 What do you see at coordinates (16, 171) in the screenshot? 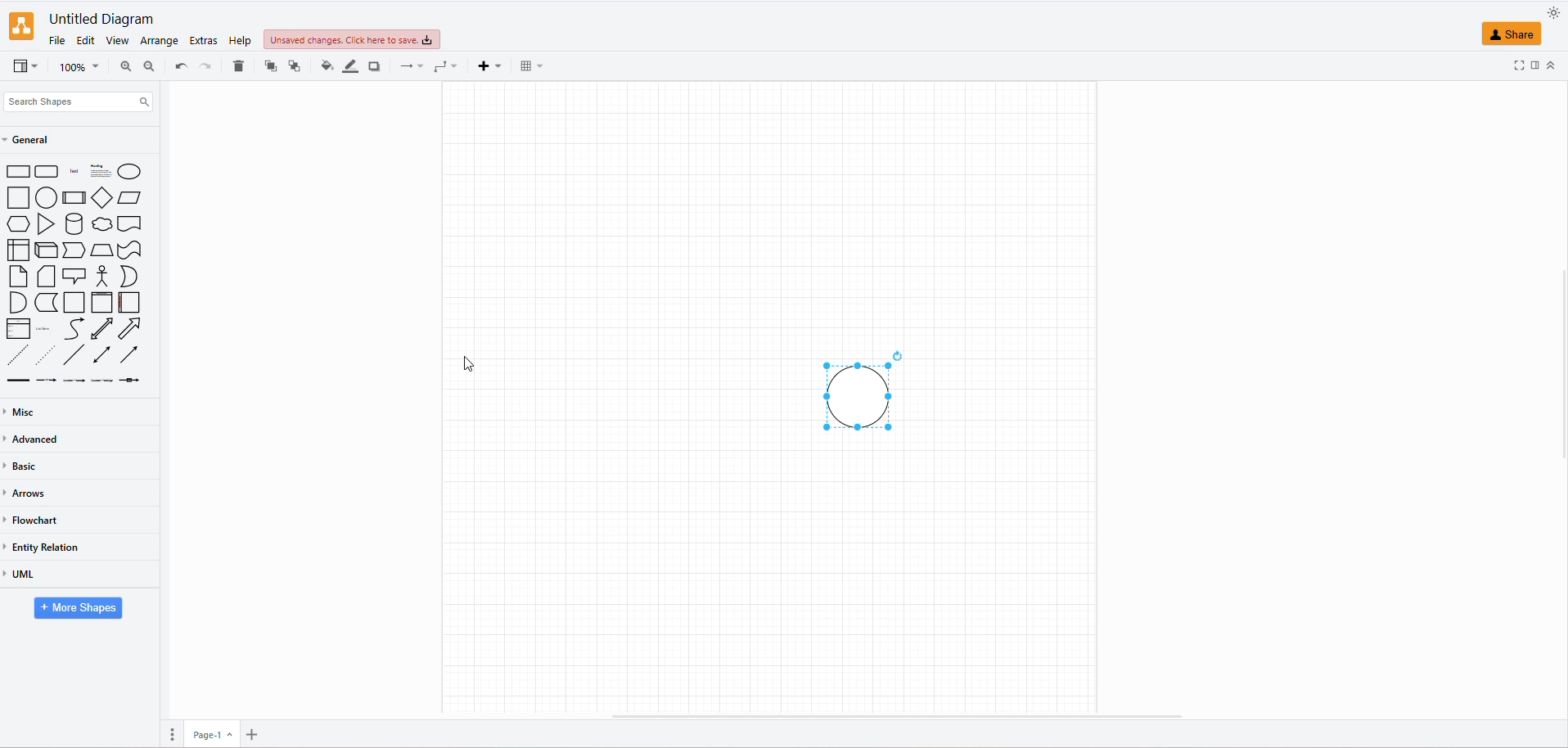
I see `RECTANGLE` at bounding box center [16, 171].